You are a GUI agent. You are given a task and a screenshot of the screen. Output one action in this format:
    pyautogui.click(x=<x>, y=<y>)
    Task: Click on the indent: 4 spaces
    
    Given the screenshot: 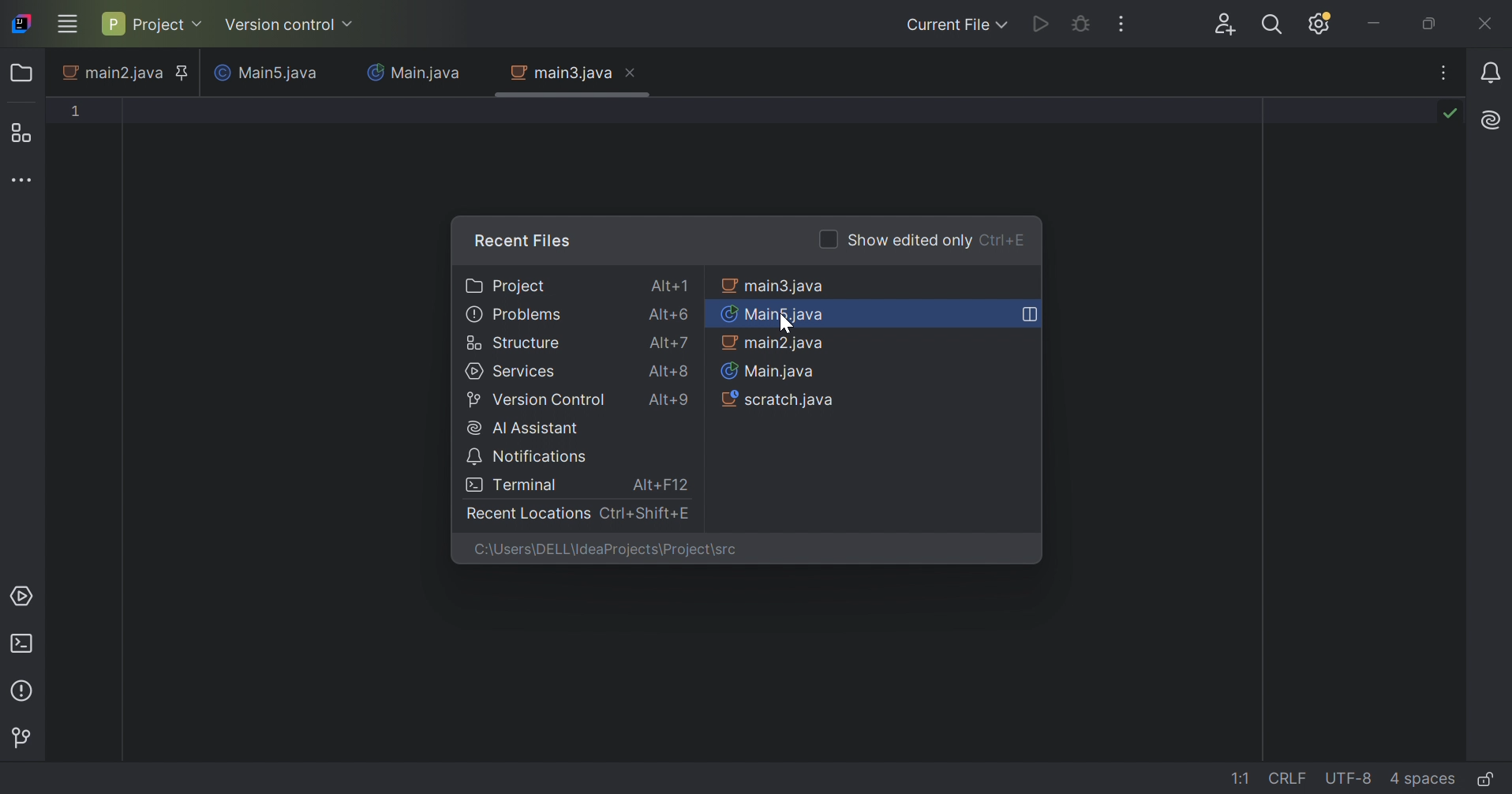 What is the action you would take?
    pyautogui.click(x=1424, y=779)
    